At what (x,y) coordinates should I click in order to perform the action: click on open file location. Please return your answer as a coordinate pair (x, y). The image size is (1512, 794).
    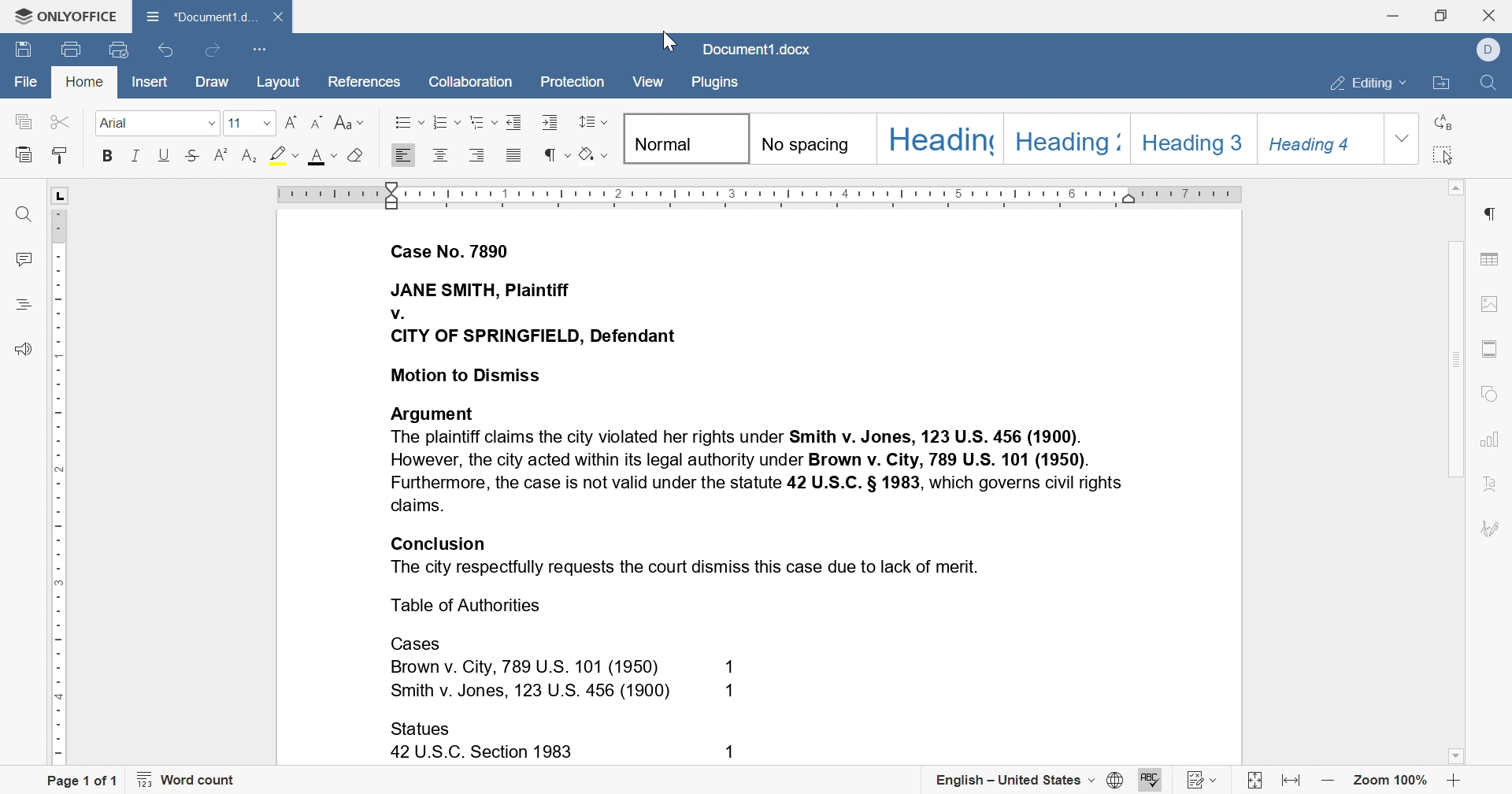
    Looking at the image, I should click on (1441, 86).